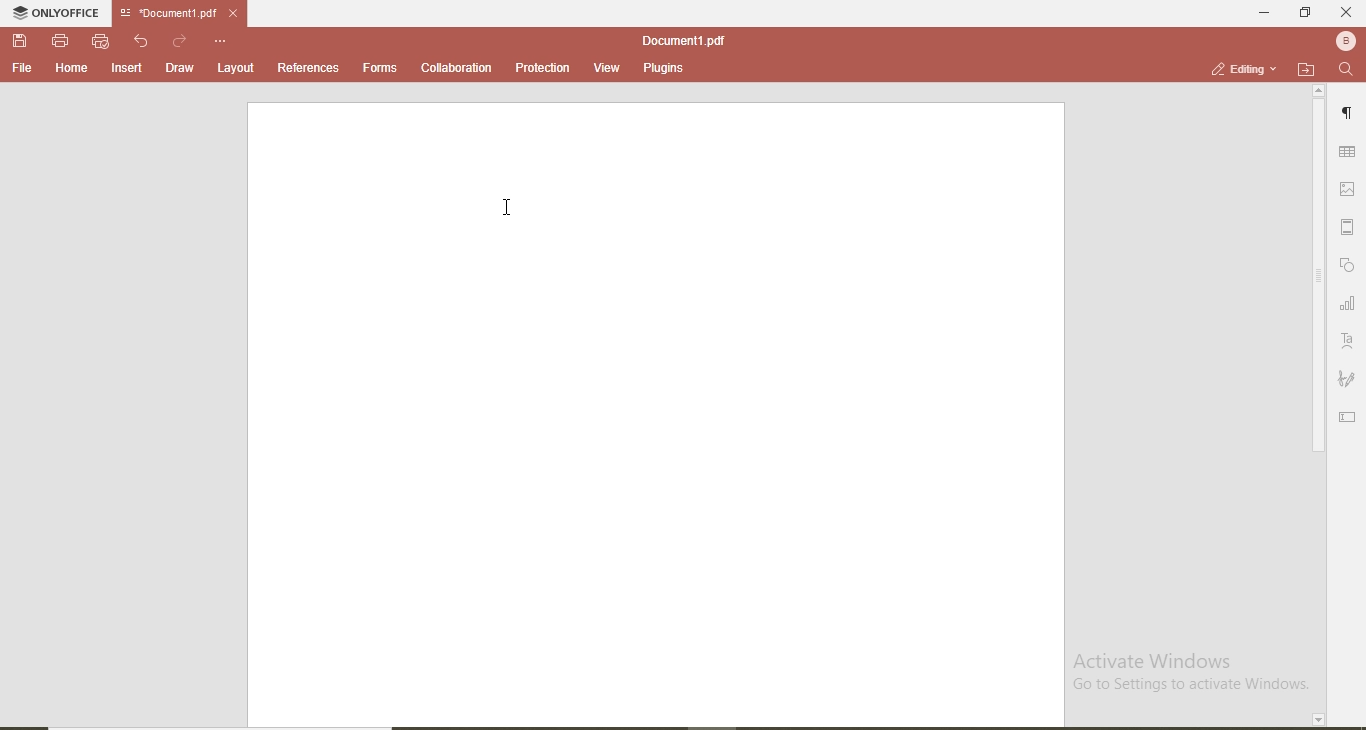 The width and height of the screenshot is (1366, 730). What do you see at coordinates (1347, 418) in the screenshot?
I see `edit text` at bounding box center [1347, 418].